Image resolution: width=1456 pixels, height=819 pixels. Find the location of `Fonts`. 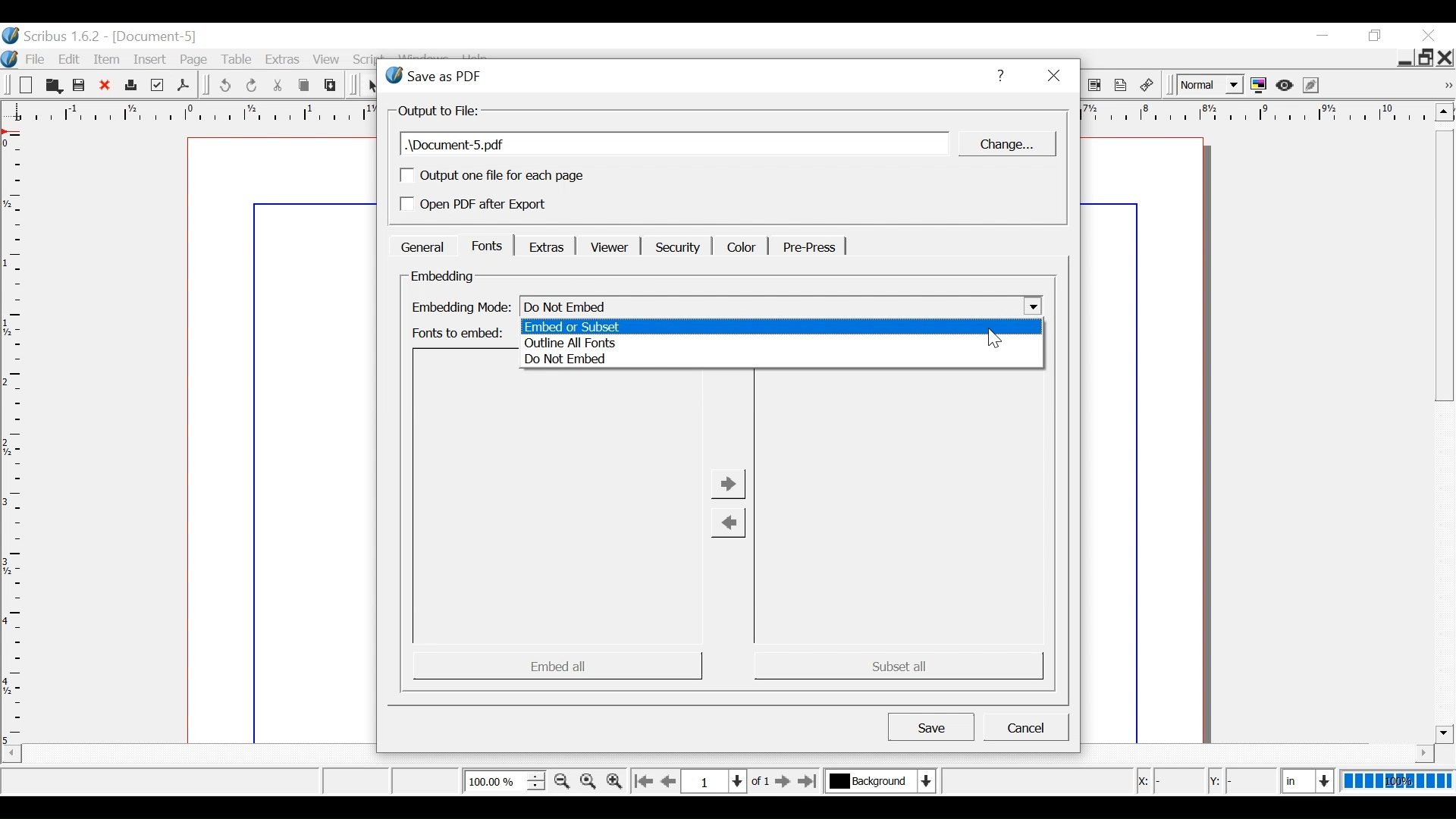

Fonts is located at coordinates (486, 245).